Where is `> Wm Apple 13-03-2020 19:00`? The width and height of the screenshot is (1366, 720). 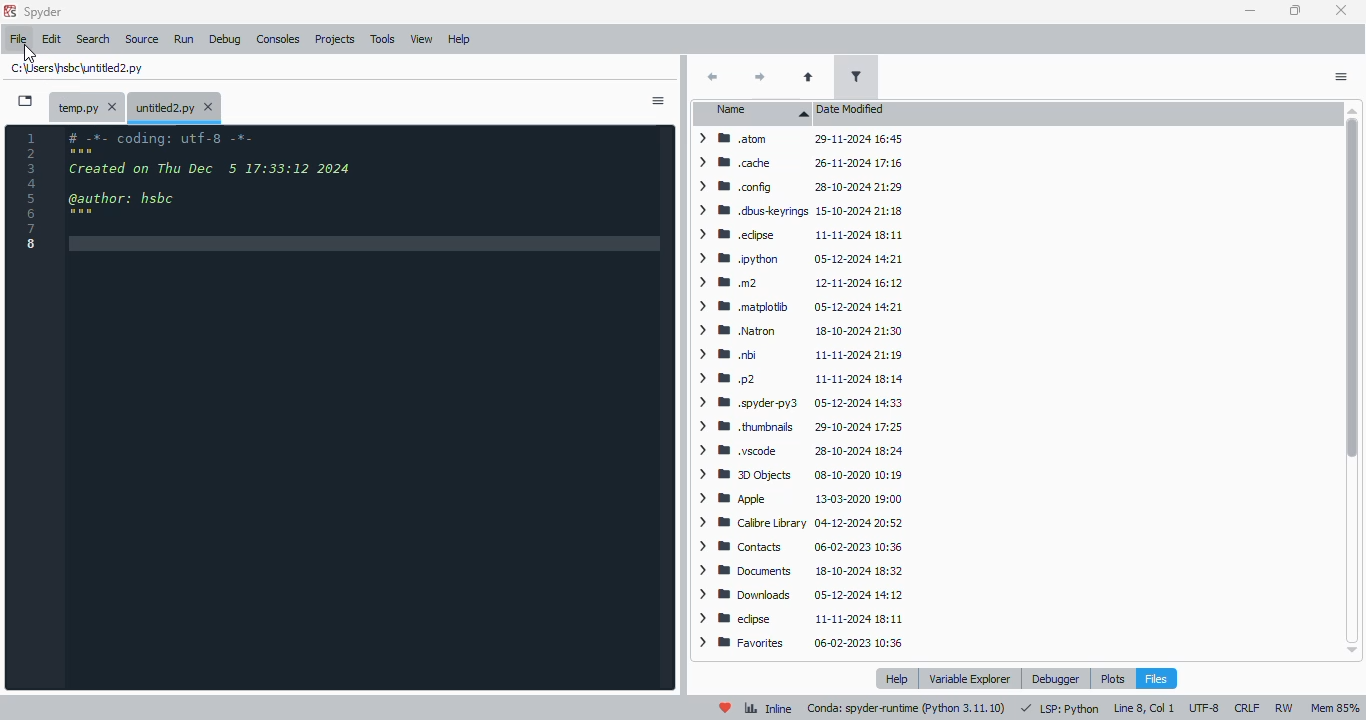
> Wm Apple 13-03-2020 19:00 is located at coordinates (801, 499).